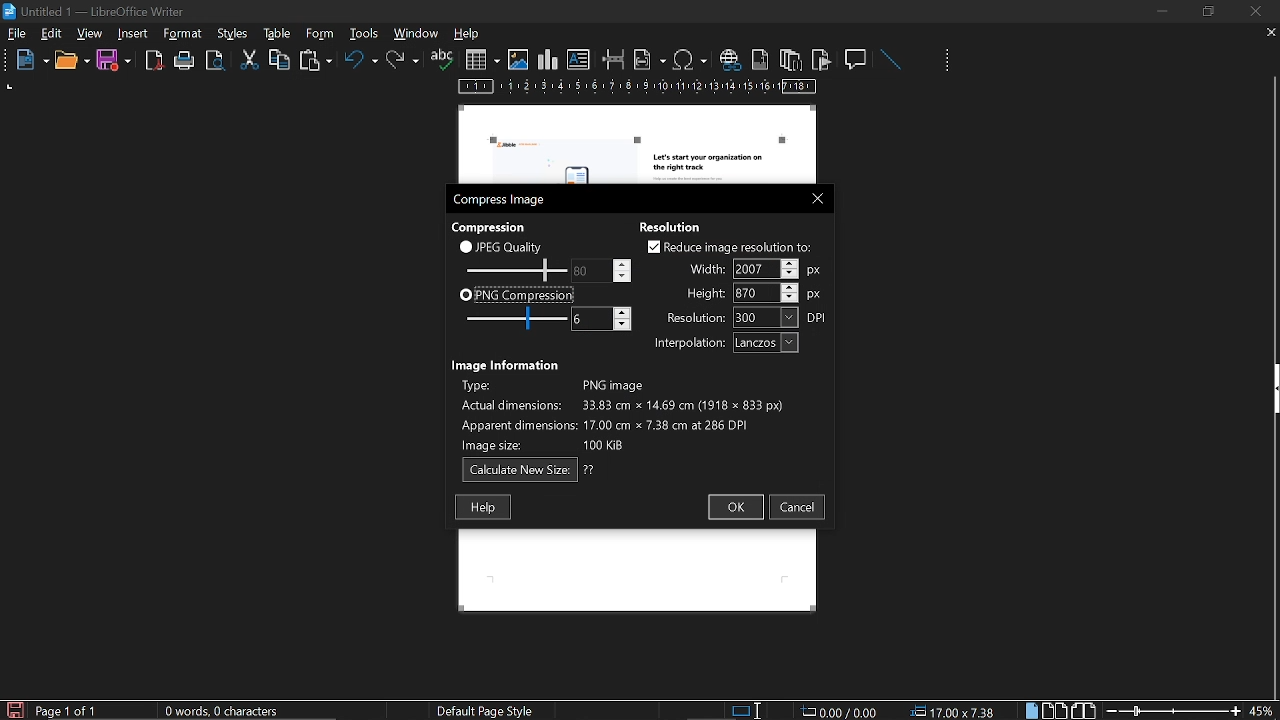  Describe the element at coordinates (114, 61) in the screenshot. I see `save` at that location.